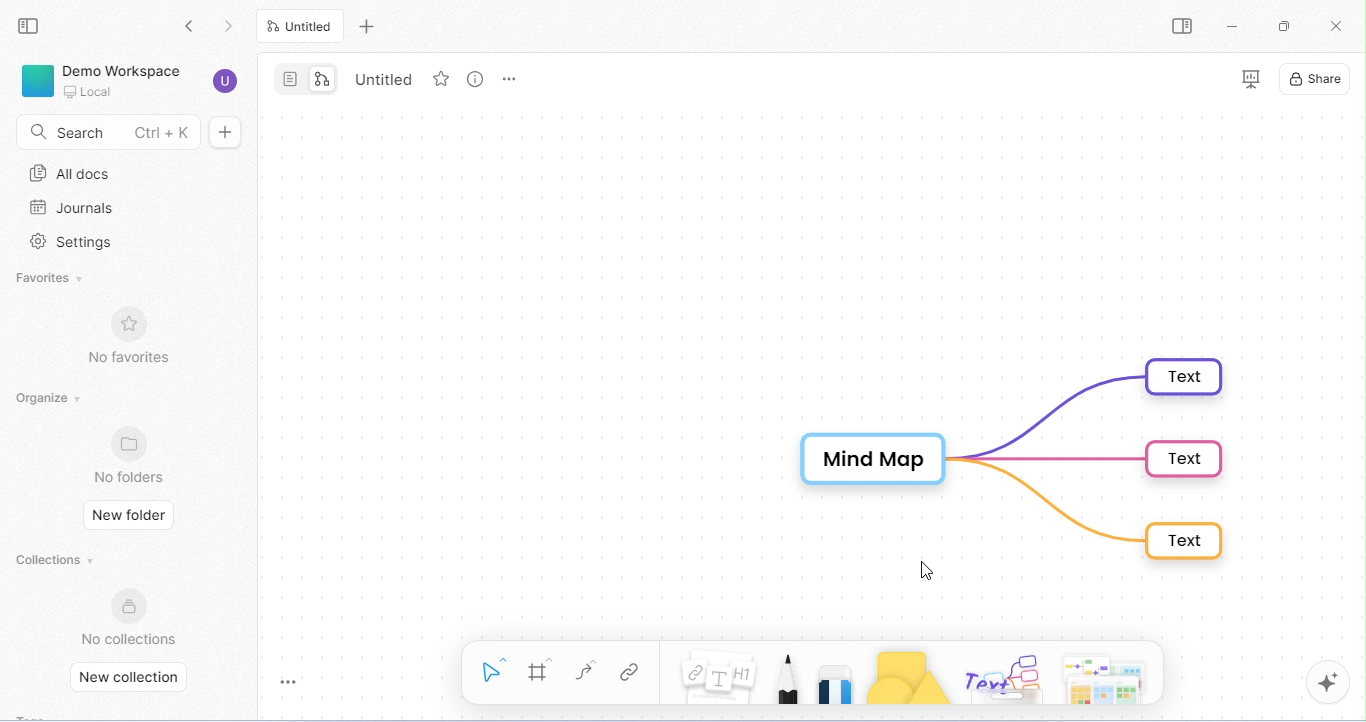  Describe the element at coordinates (439, 80) in the screenshot. I see `favorites` at that location.